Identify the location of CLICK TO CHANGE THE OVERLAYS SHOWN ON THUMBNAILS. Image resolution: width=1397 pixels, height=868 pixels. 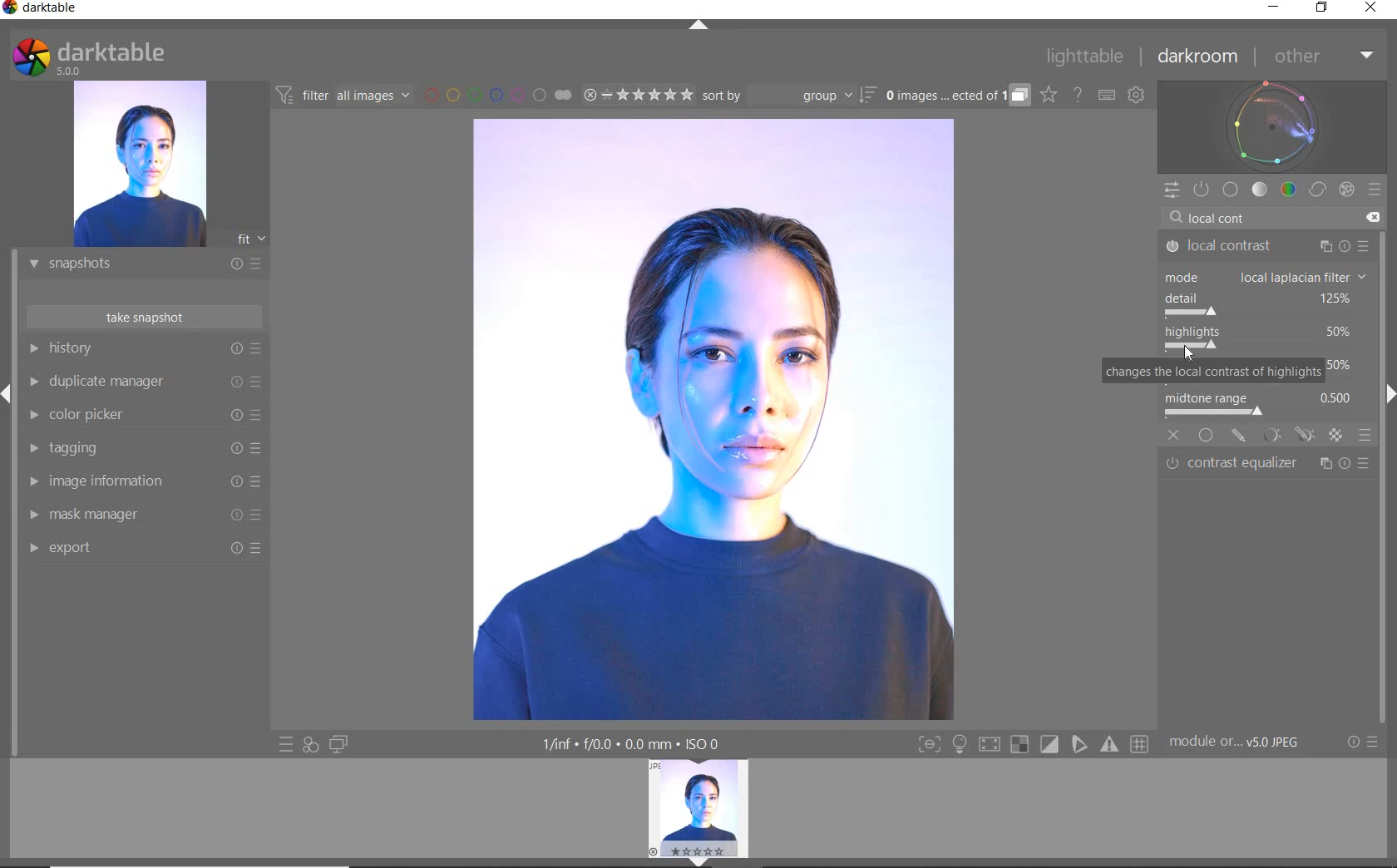
(1049, 95).